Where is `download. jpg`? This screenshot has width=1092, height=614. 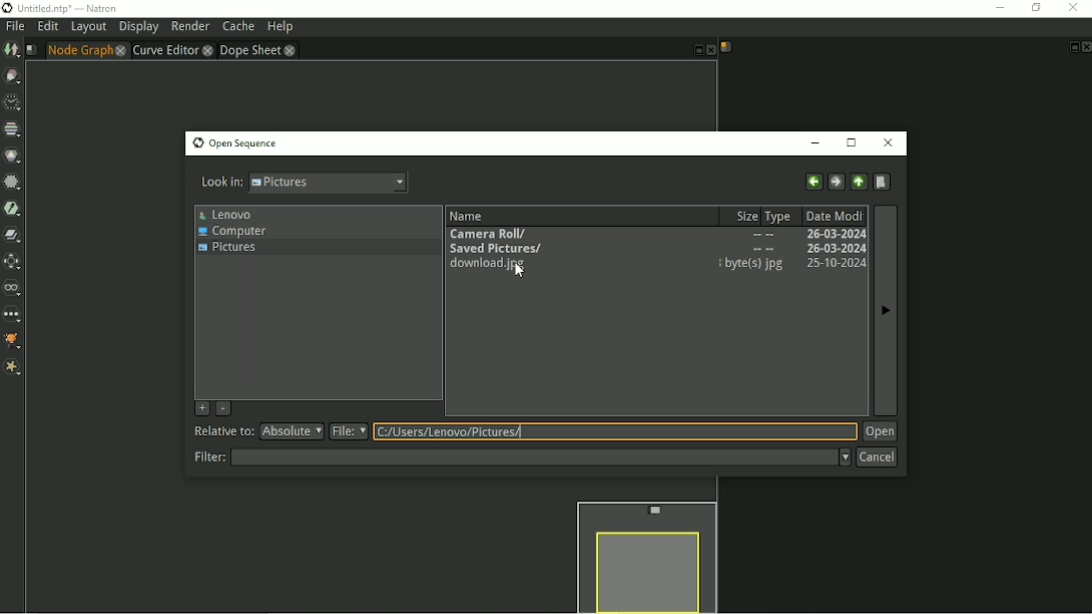
download. jpg is located at coordinates (487, 264).